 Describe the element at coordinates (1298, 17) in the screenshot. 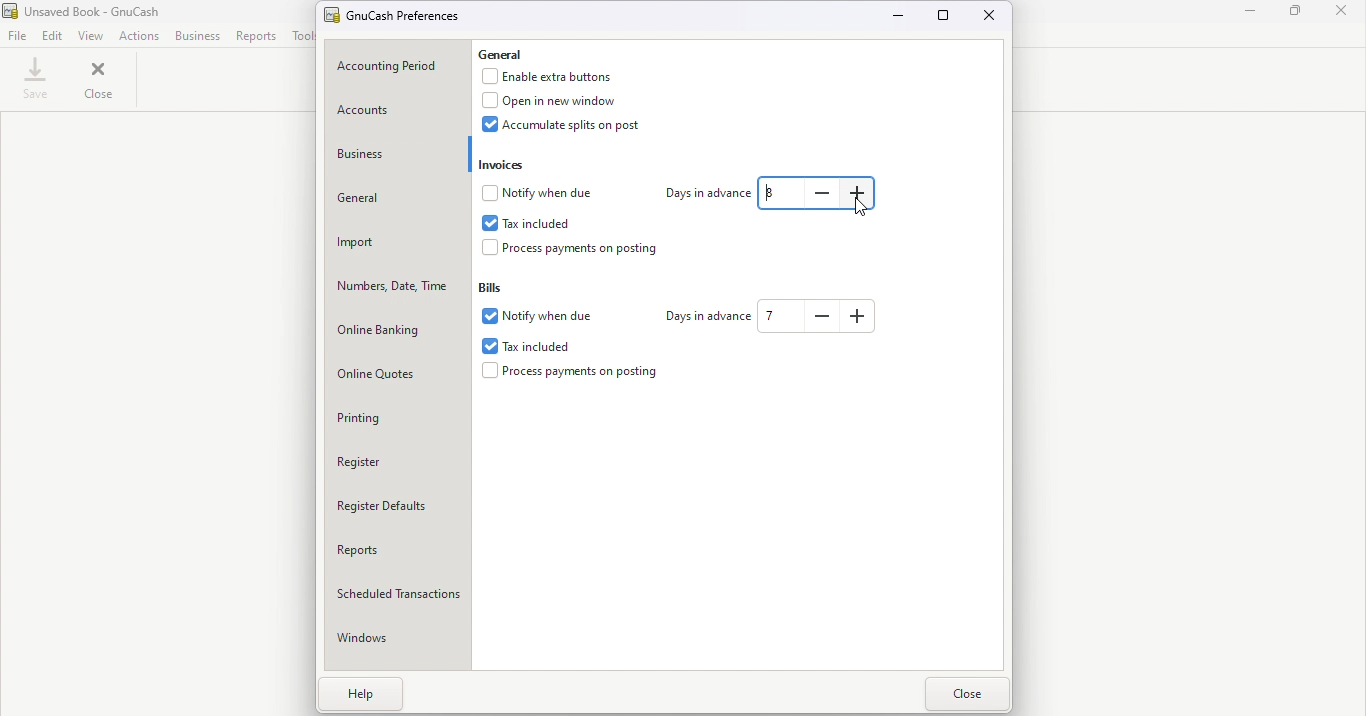

I see `Maximize` at that location.